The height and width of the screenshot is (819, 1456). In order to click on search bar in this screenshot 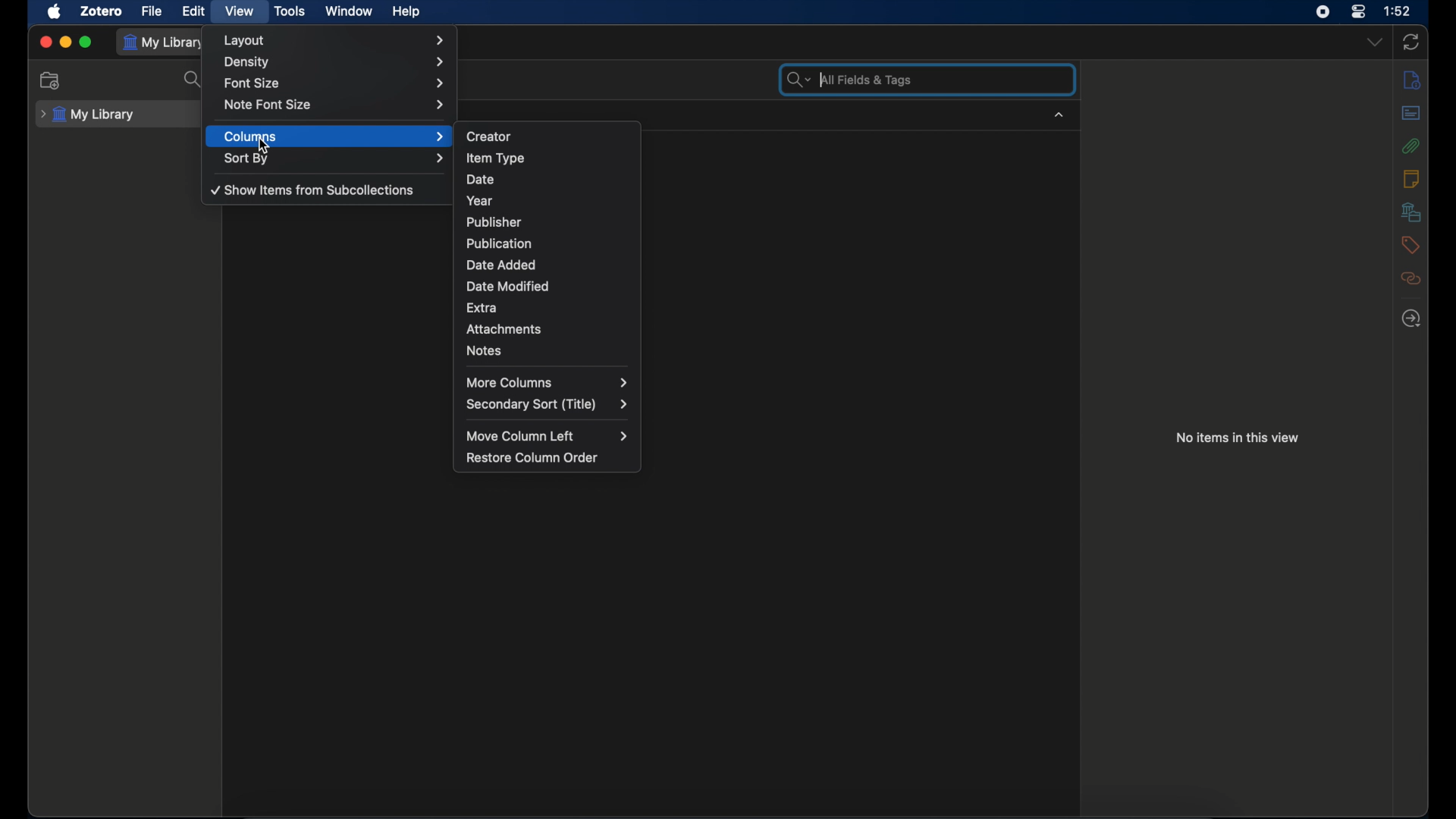, I will do `click(852, 80)`.